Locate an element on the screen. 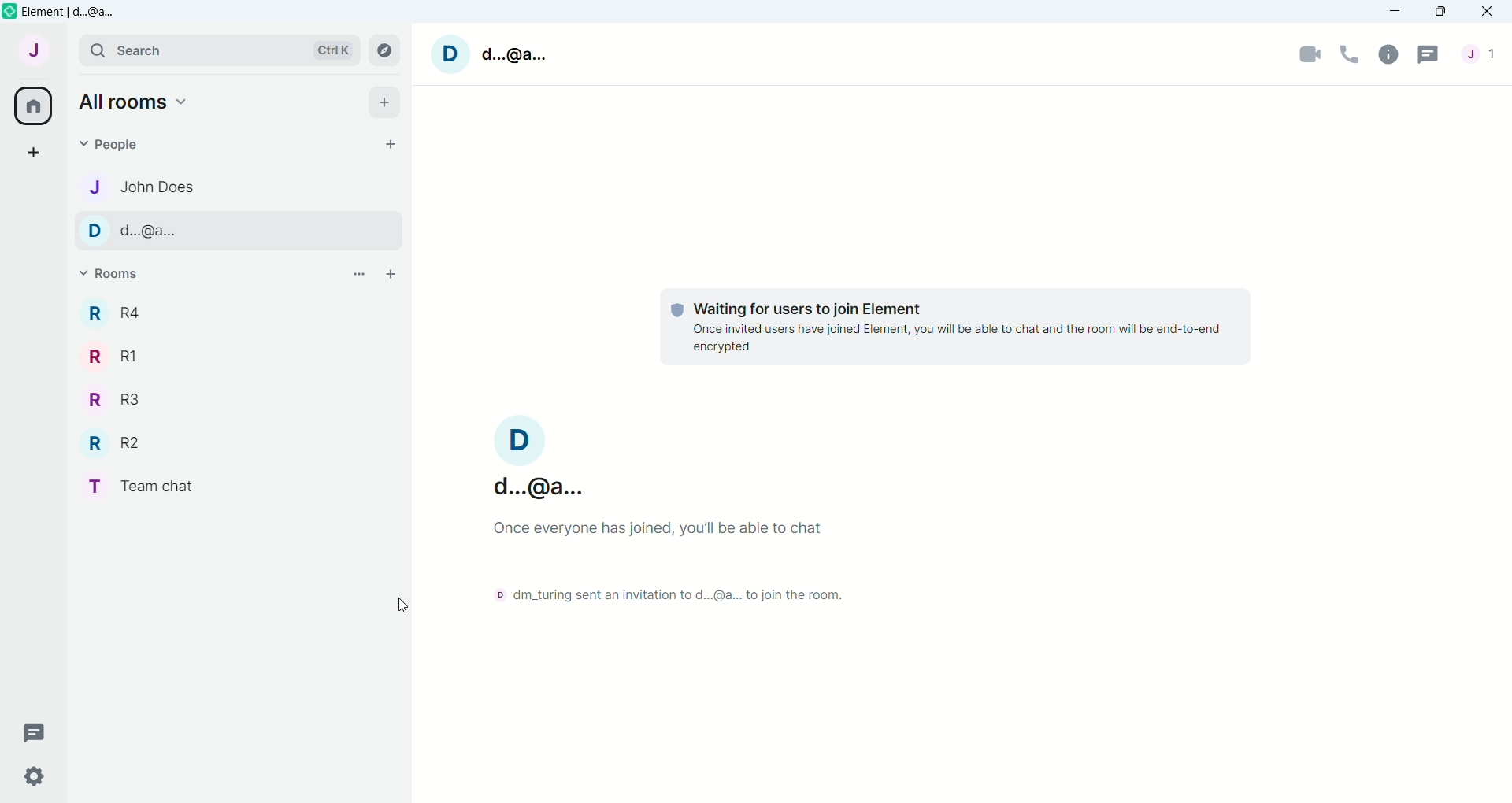 This screenshot has height=803, width=1512. Quick Settings is located at coordinates (35, 778).